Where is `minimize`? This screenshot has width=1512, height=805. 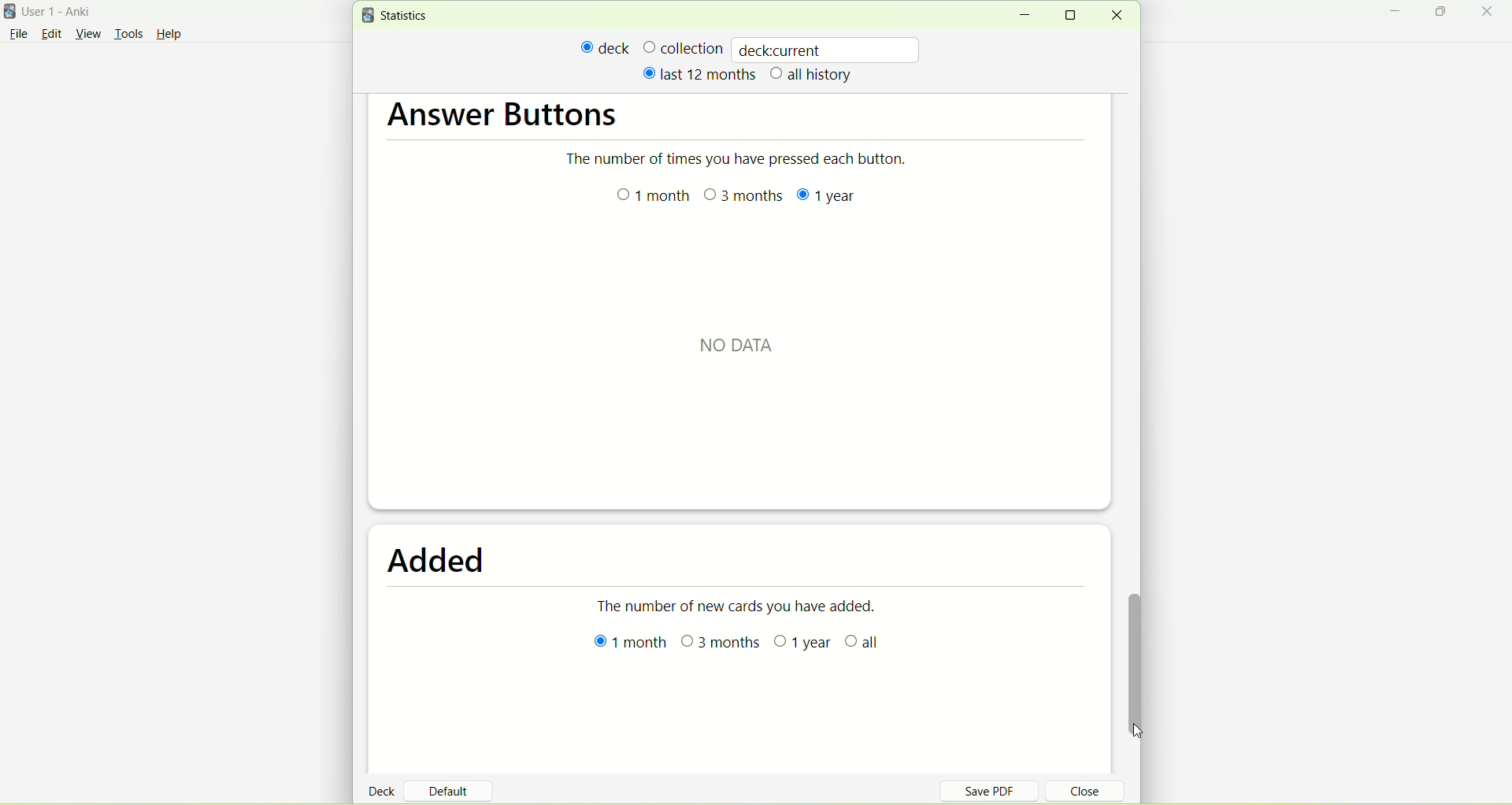
minimize is located at coordinates (1024, 16).